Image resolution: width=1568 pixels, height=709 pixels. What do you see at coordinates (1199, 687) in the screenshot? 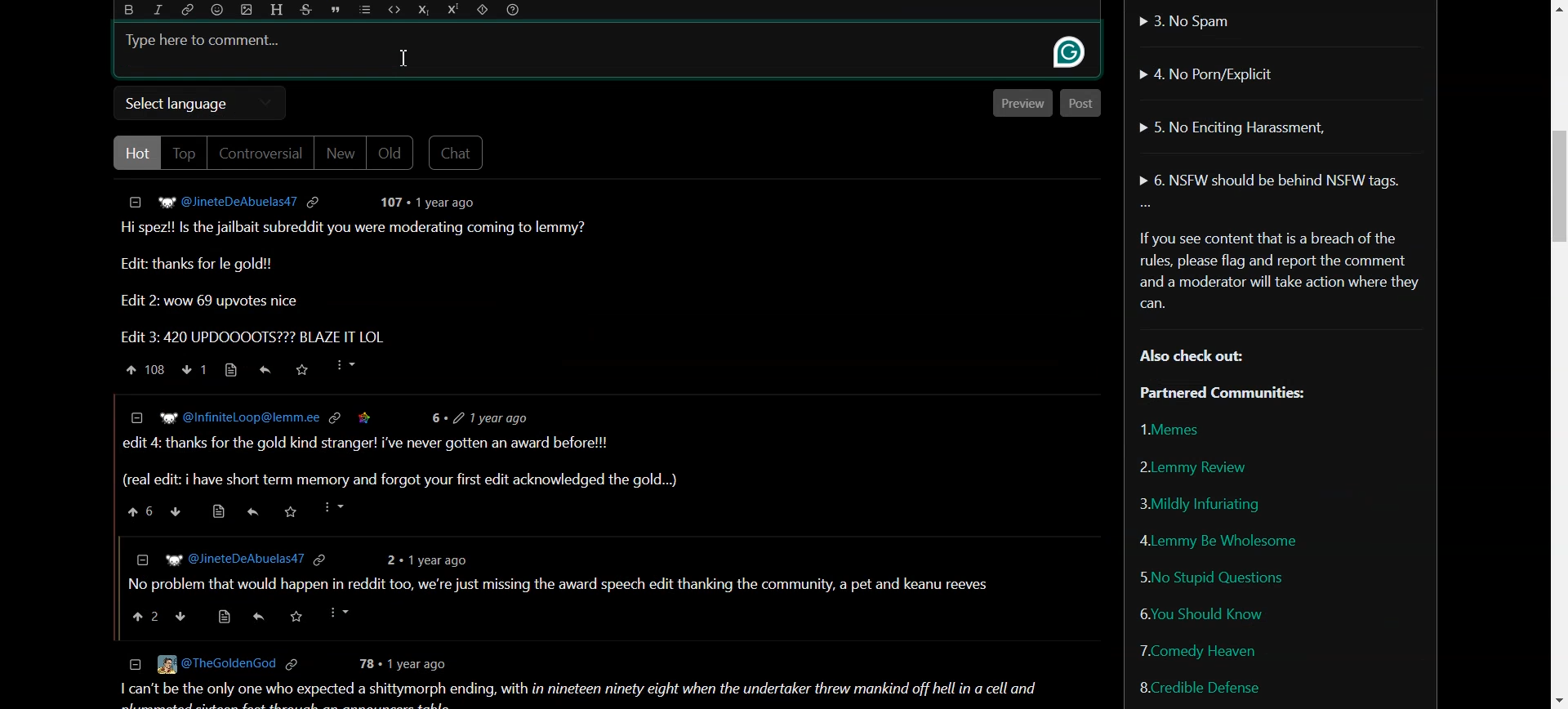
I see `Credible Defense` at bounding box center [1199, 687].